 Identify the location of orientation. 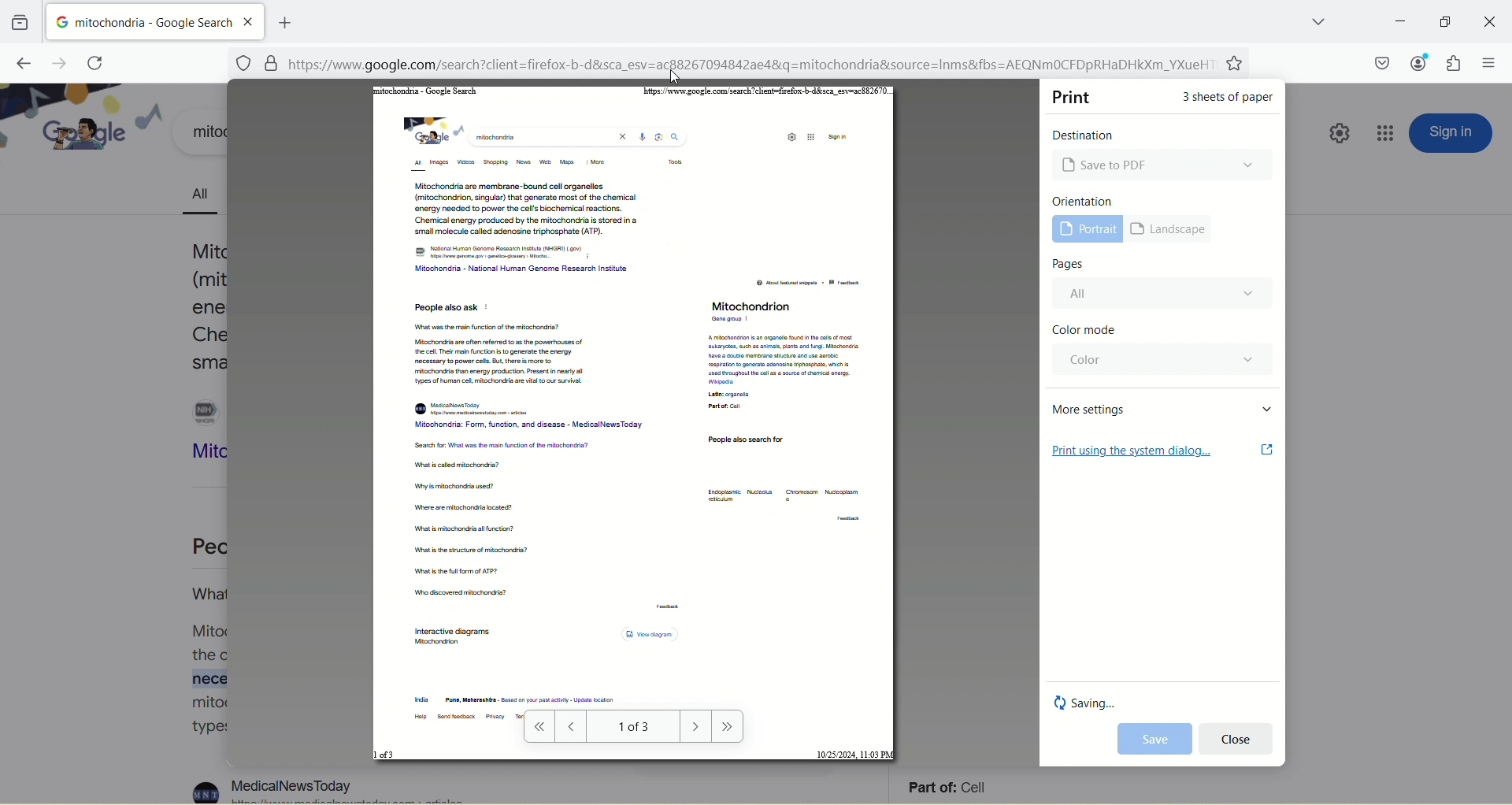
(1086, 201).